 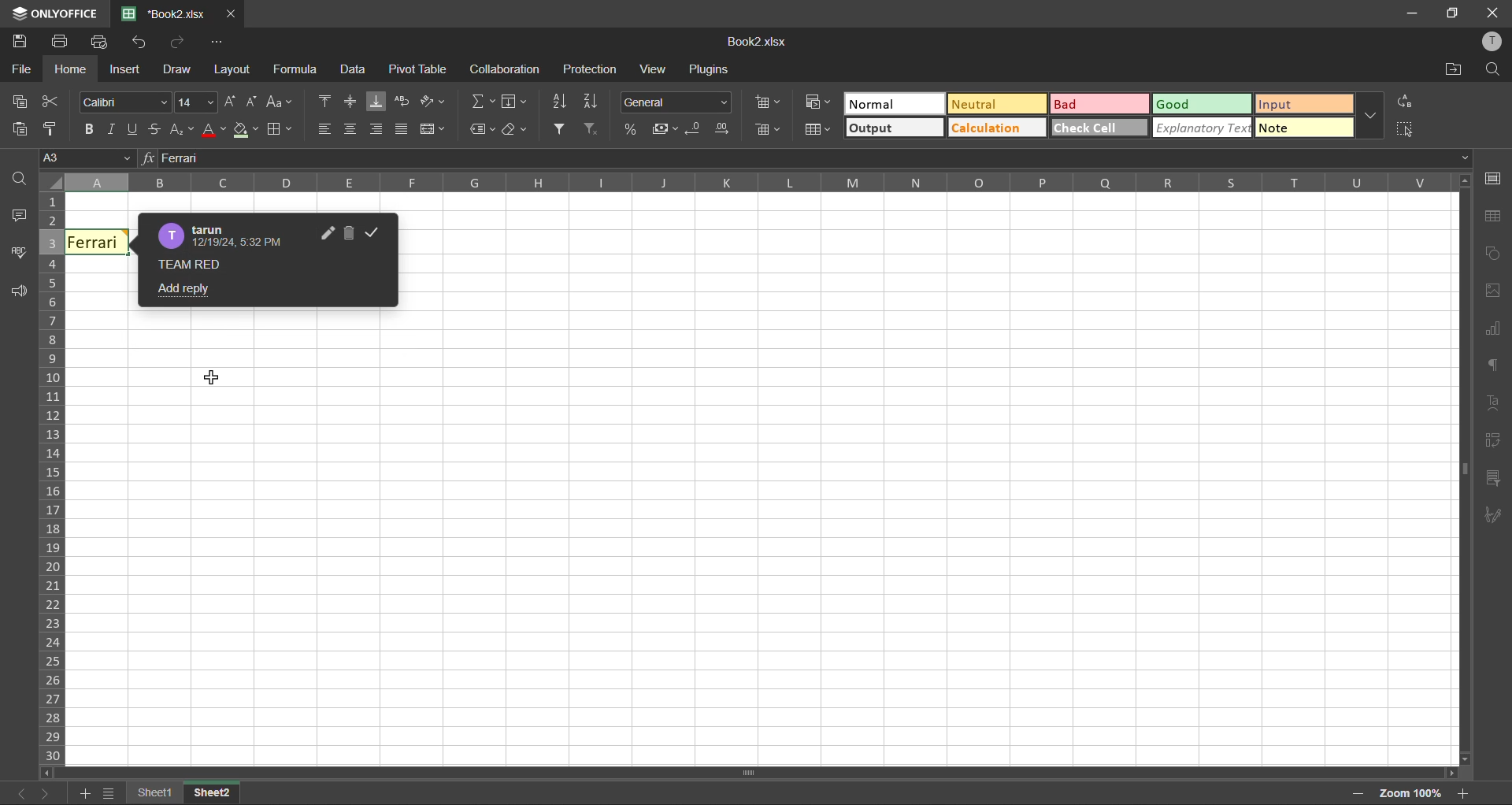 I want to click on fill color, so click(x=243, y=131).